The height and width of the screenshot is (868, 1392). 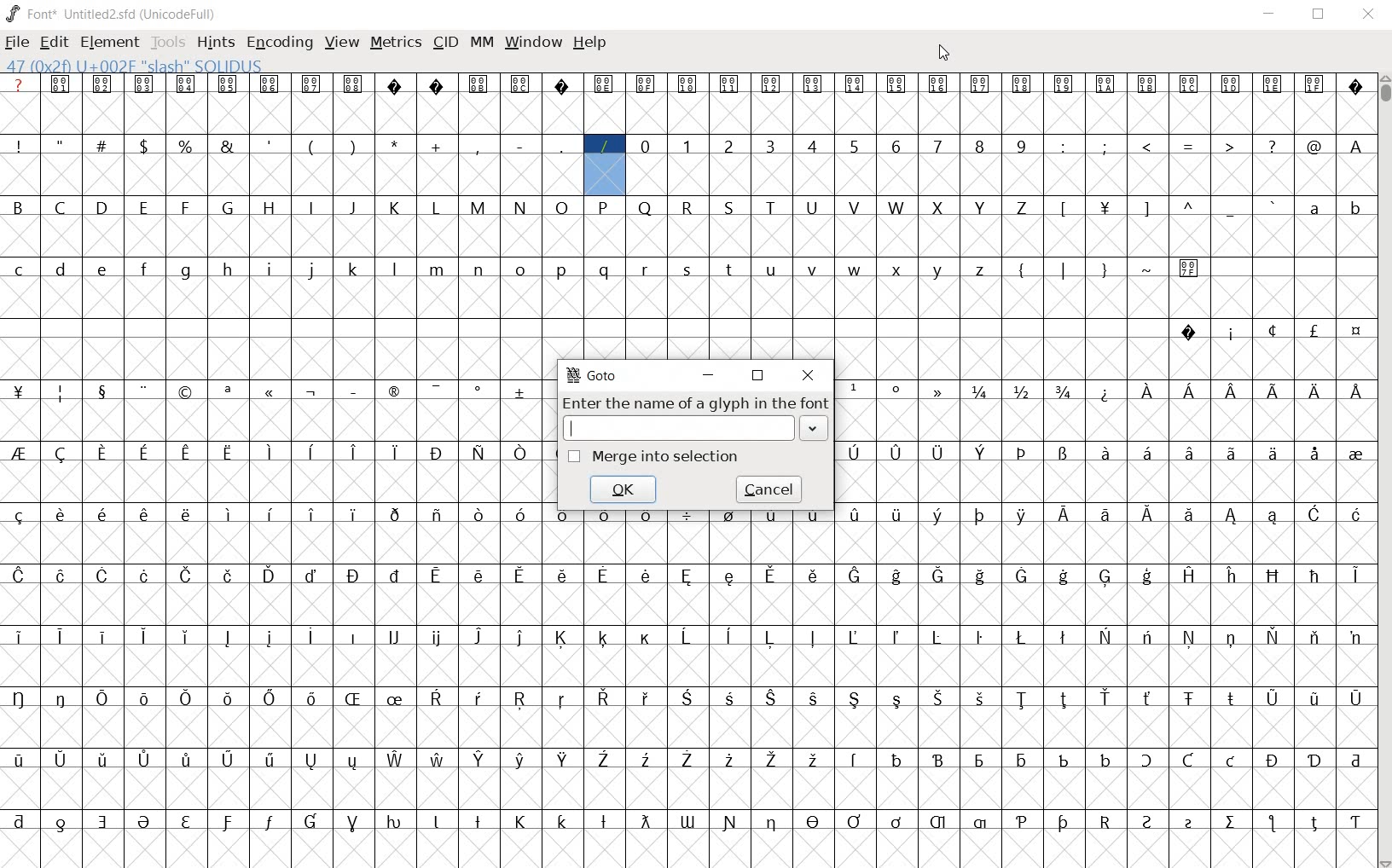 What do you see at coordinates (186, 84) in the screenshot?
I see `glyph` at bounding box center [186, 84].